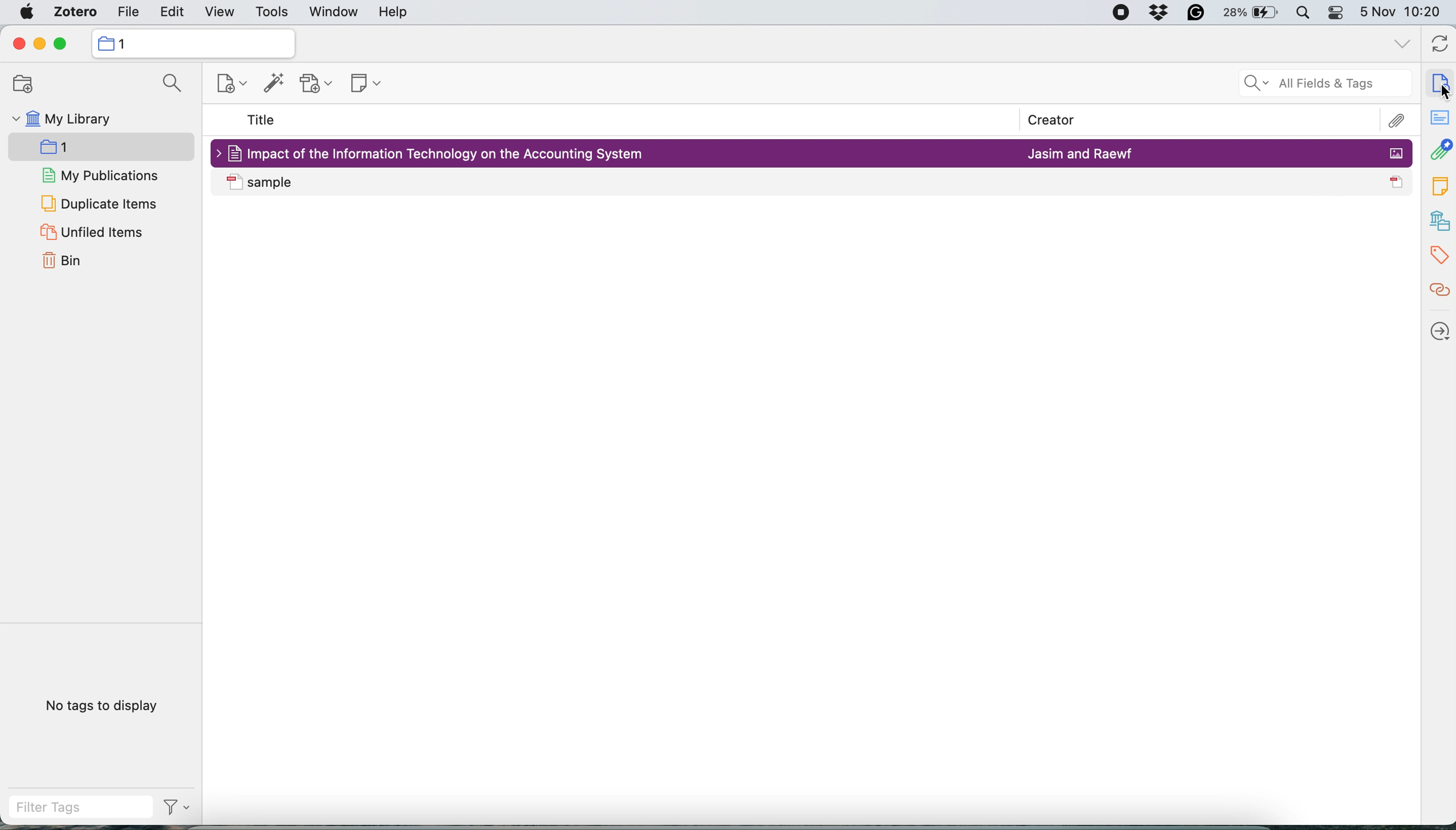  What do you see at coordinates (234, 181) in the screenshot?
I see `icon` at bounding box center [234, 181].